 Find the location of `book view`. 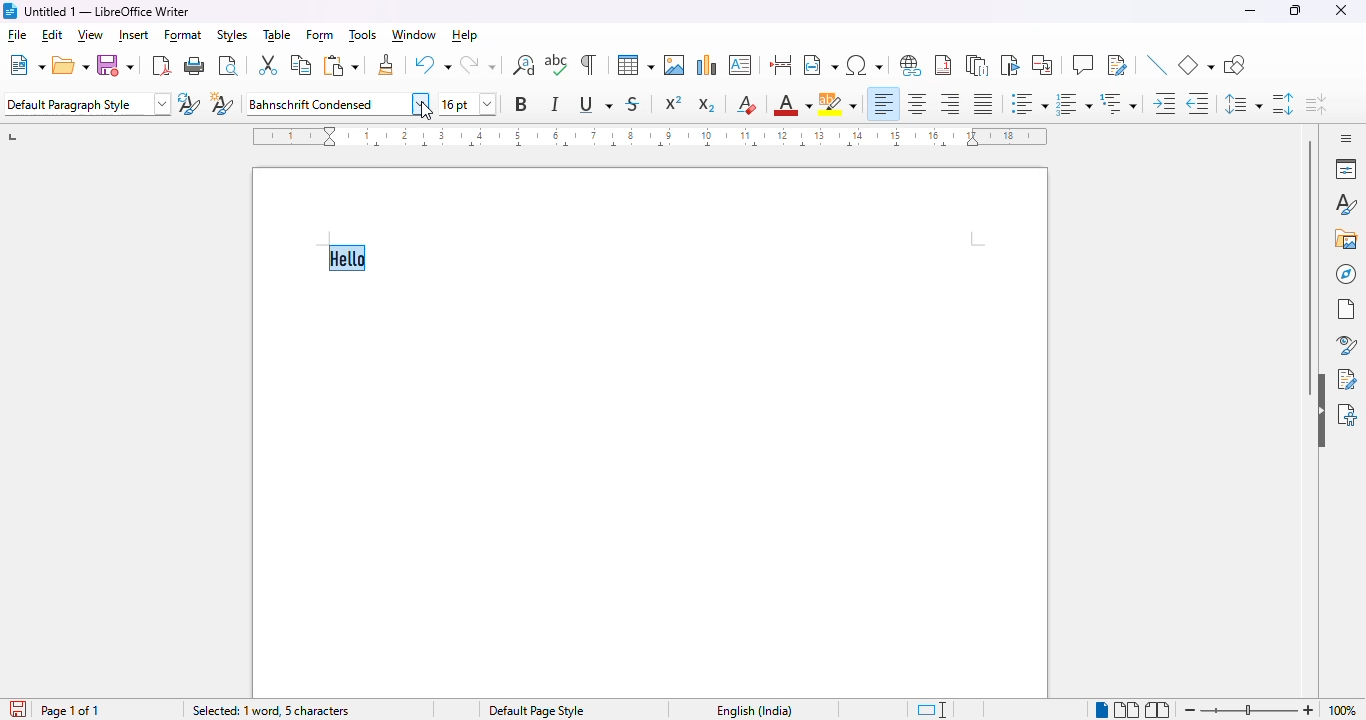

book view is located at coordinates (1159, 709).